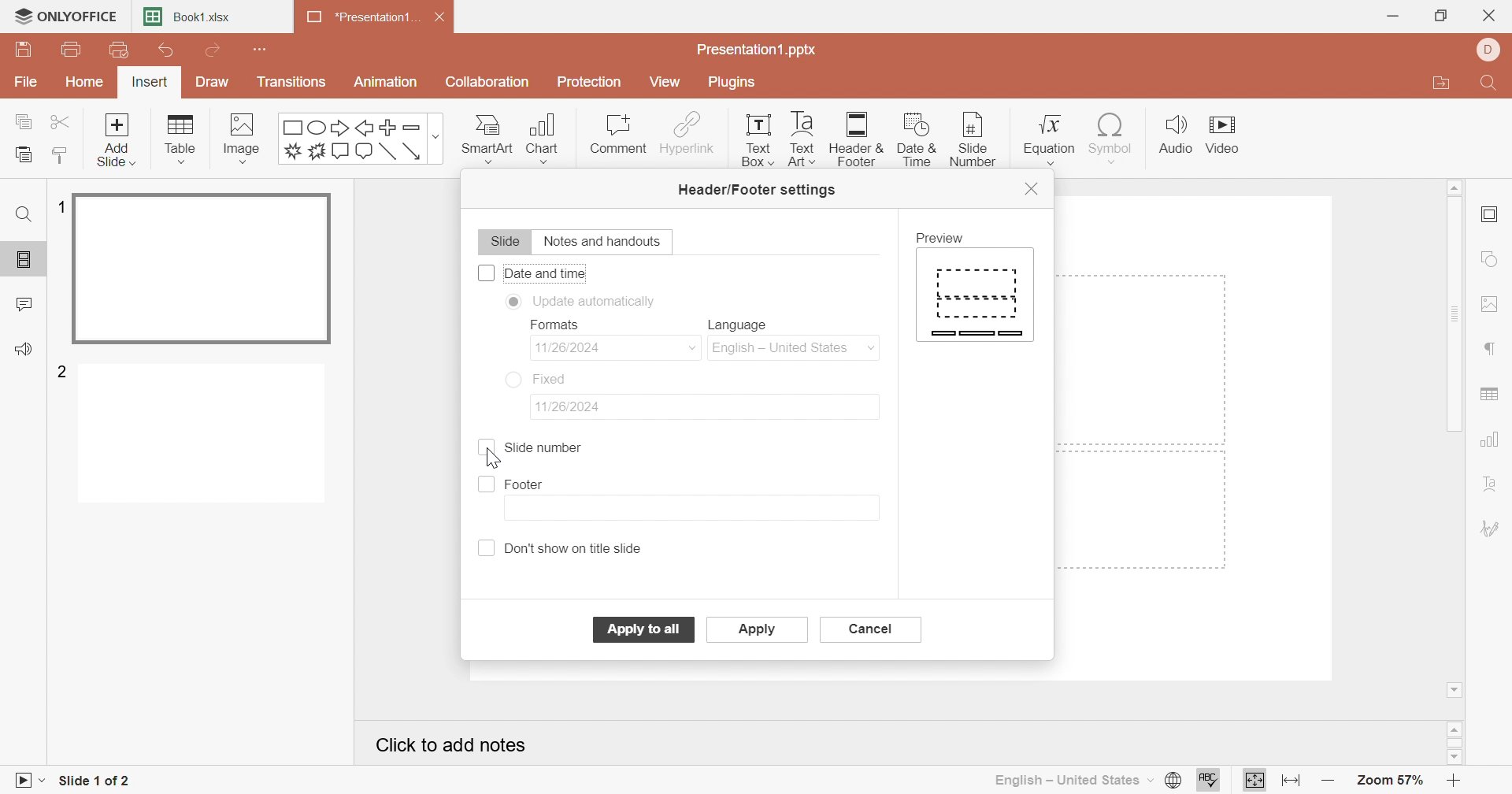 This screenshot has width=1512, height=794. I want to click on cut, so click(63, 121).